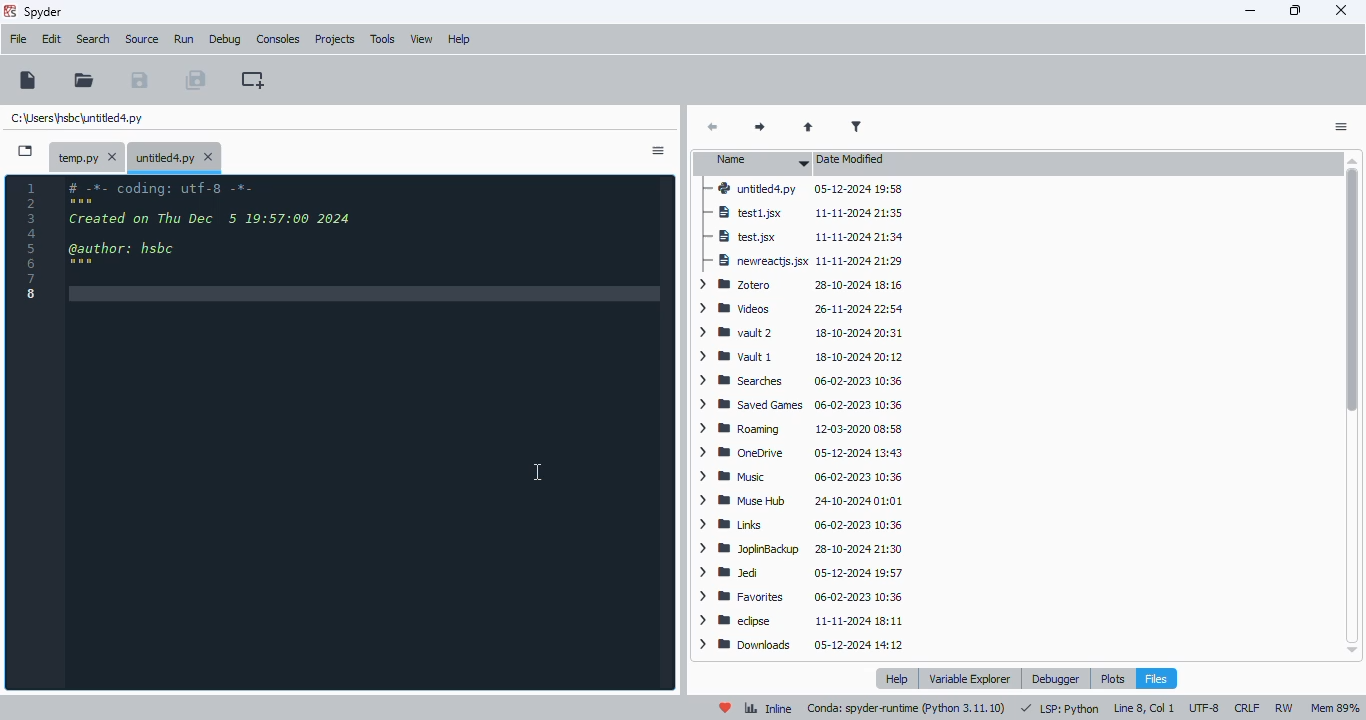 The height and width of the screenshot is (720, 1366). I want to click on vault 1, so click(735, 358).